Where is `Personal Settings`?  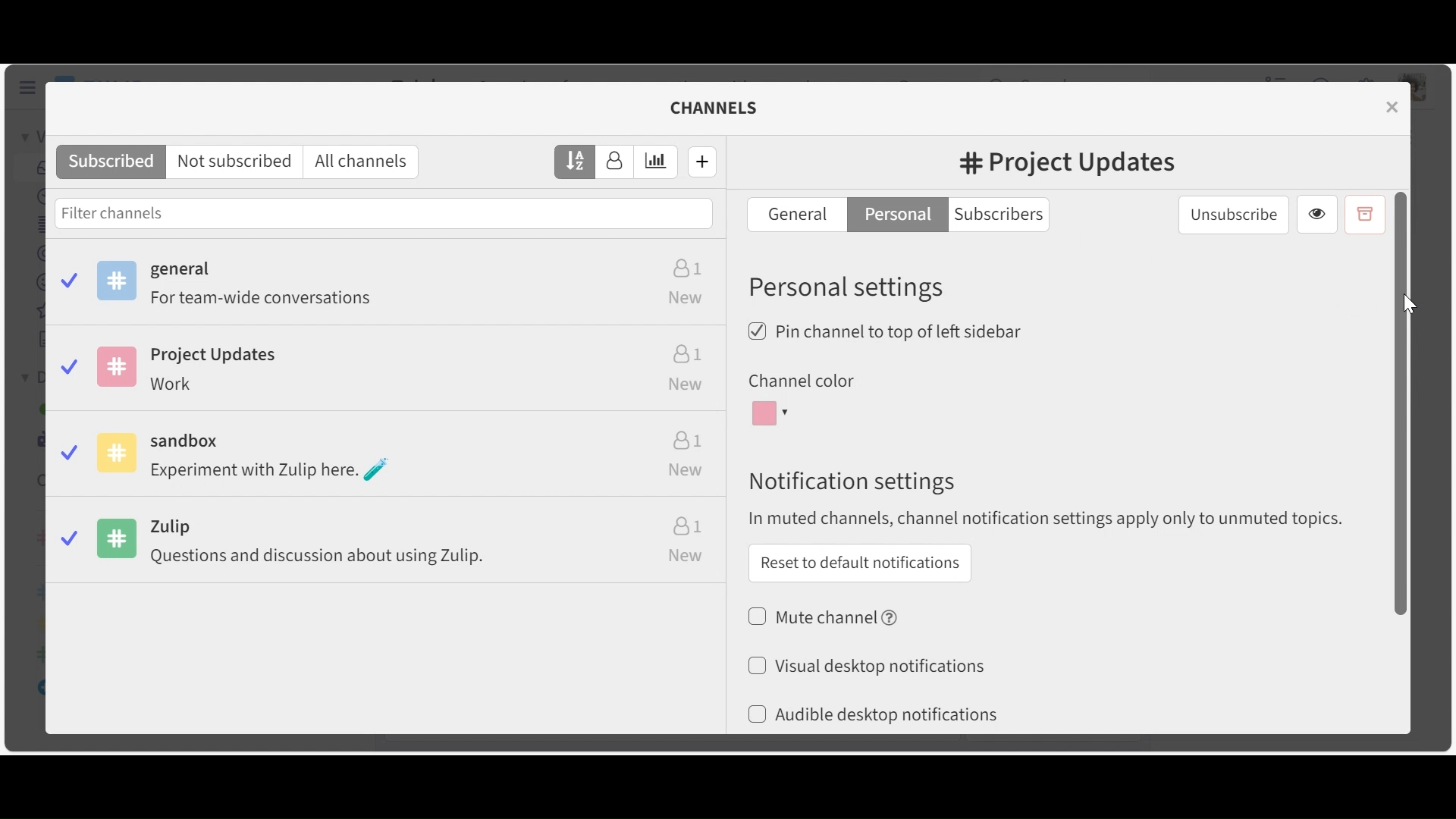 Personal Settings is located at coordinates (849, 286).